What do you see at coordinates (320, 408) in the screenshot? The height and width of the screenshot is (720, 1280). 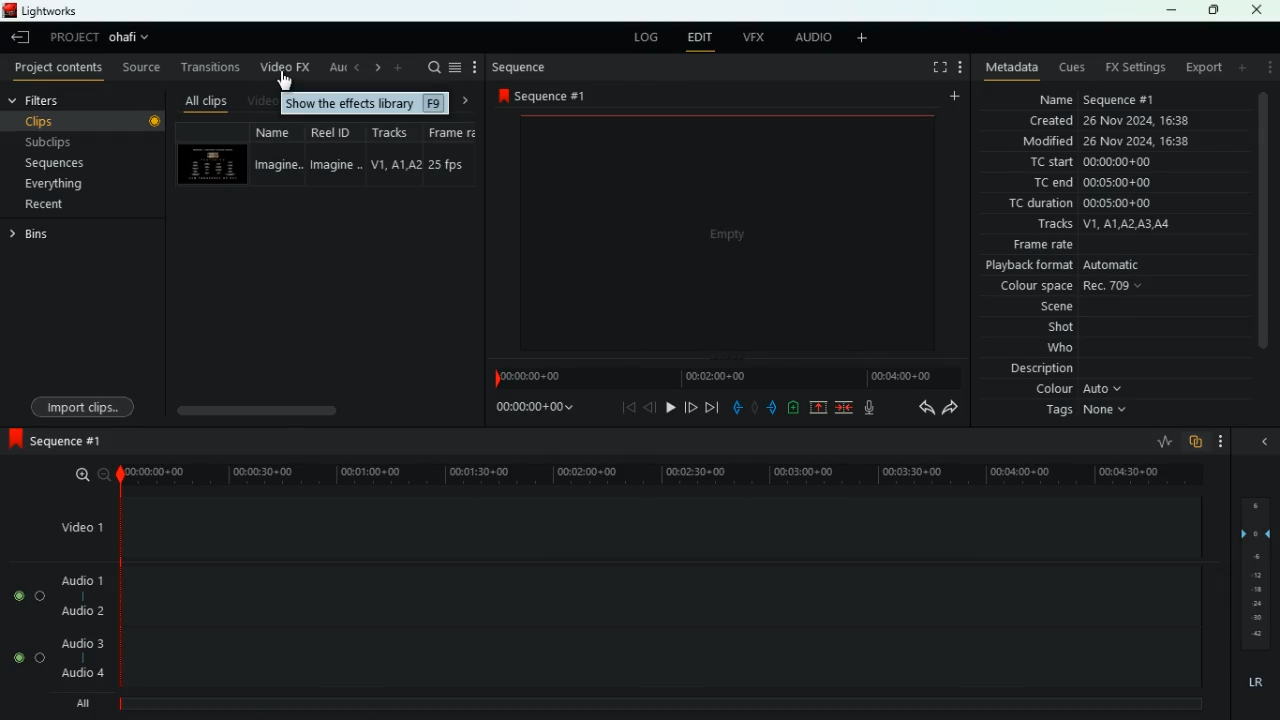 I see `scroll bar` at bounding box center [320, 408].